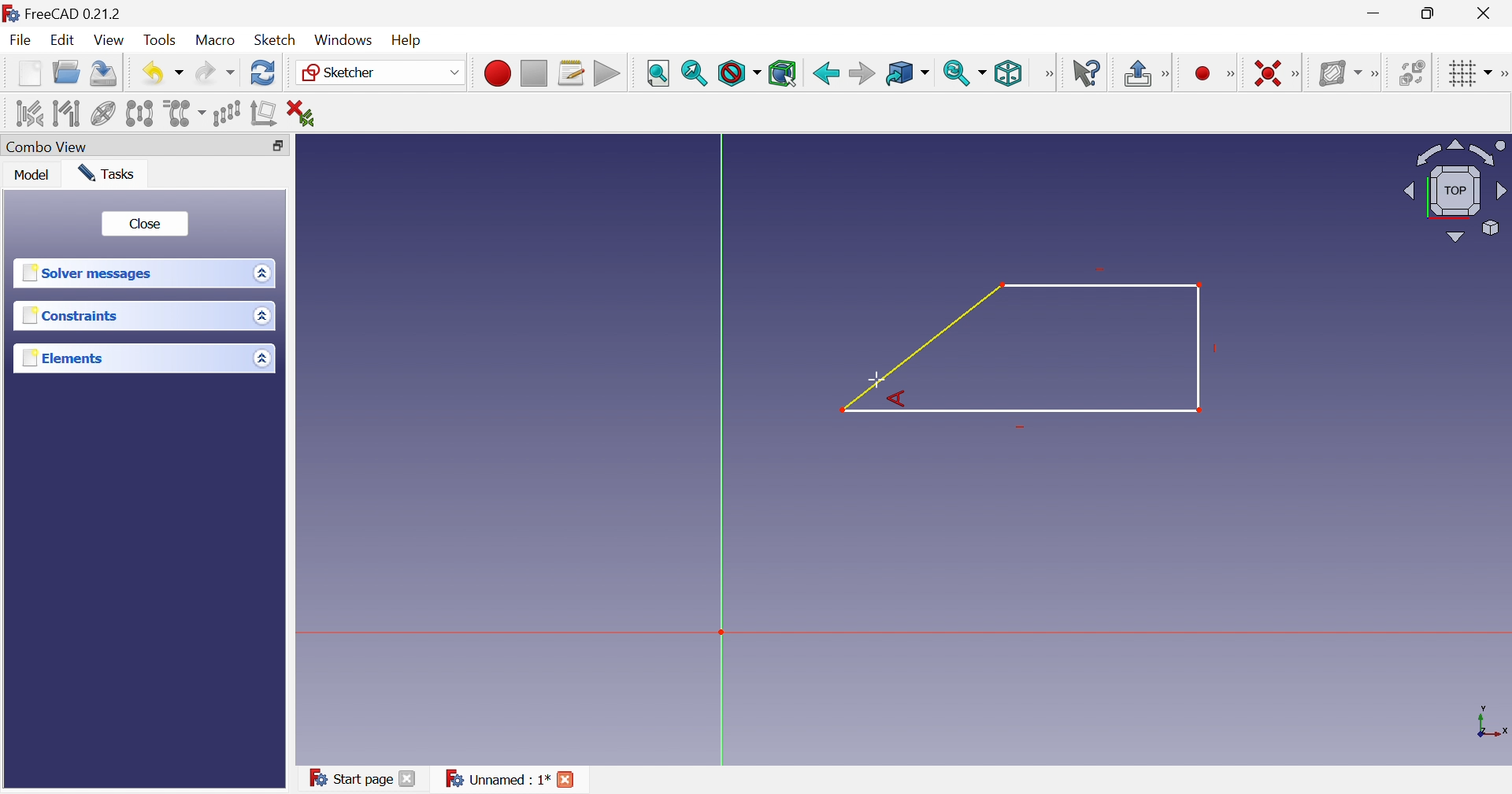  What do you see at coordinates (276, 40) in the screenshot?
I see `Sketch` at bounding box center [276, 40].